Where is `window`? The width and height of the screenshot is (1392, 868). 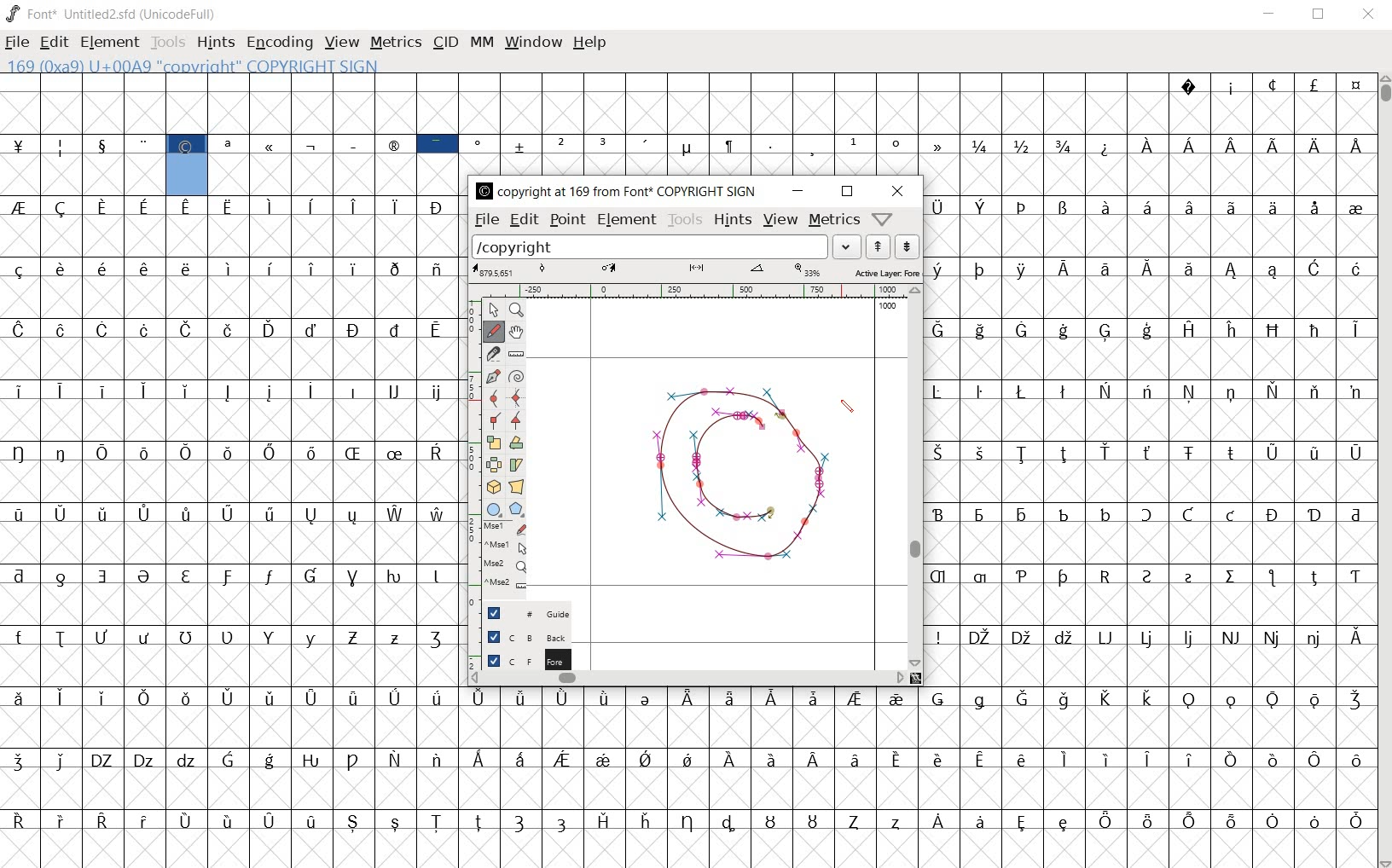
window is located at coordinates (531, 42).